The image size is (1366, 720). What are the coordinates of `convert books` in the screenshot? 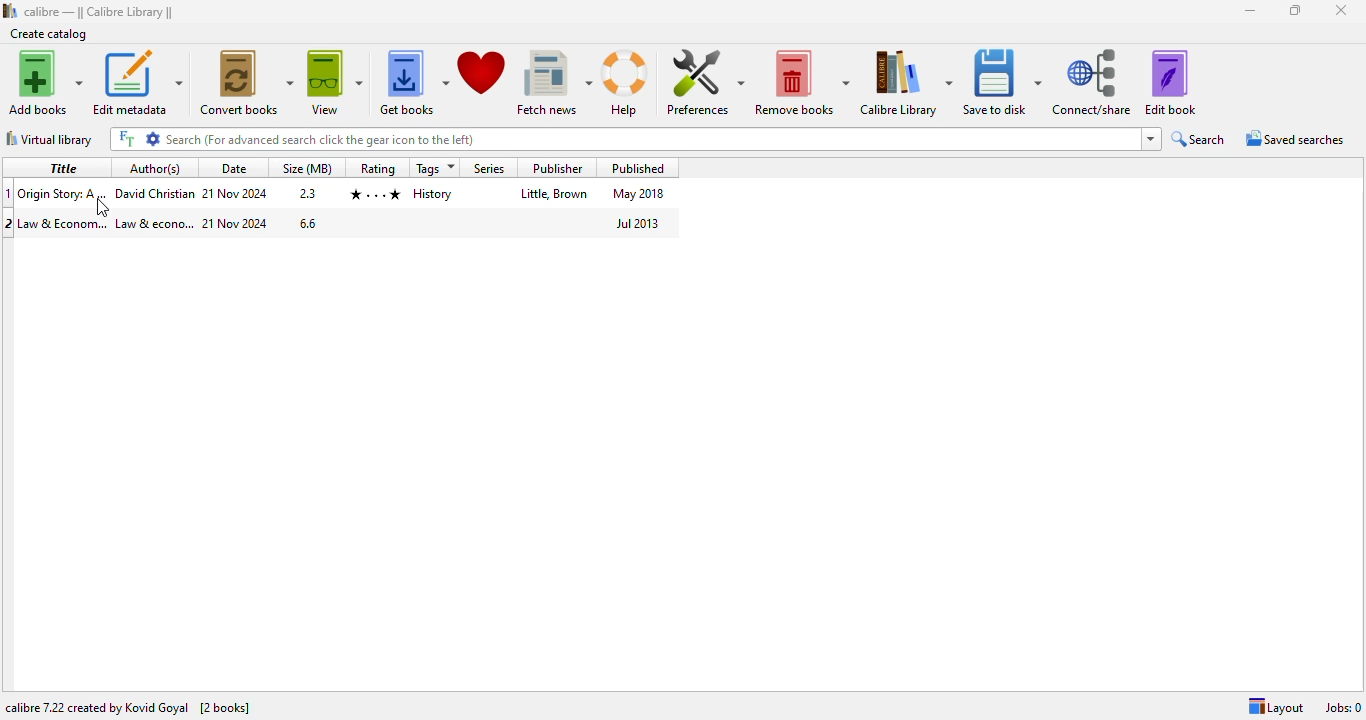 It's located at (246, 83).